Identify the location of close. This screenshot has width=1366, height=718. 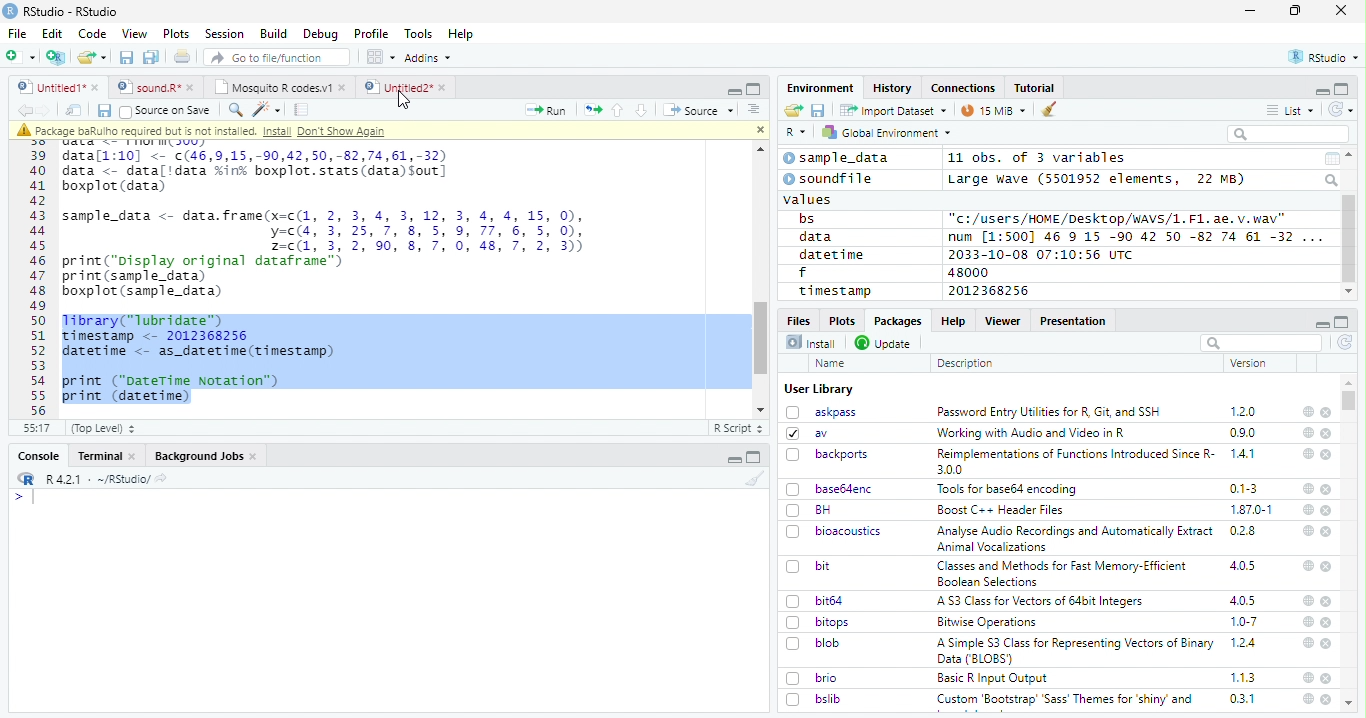
(1327, 455).